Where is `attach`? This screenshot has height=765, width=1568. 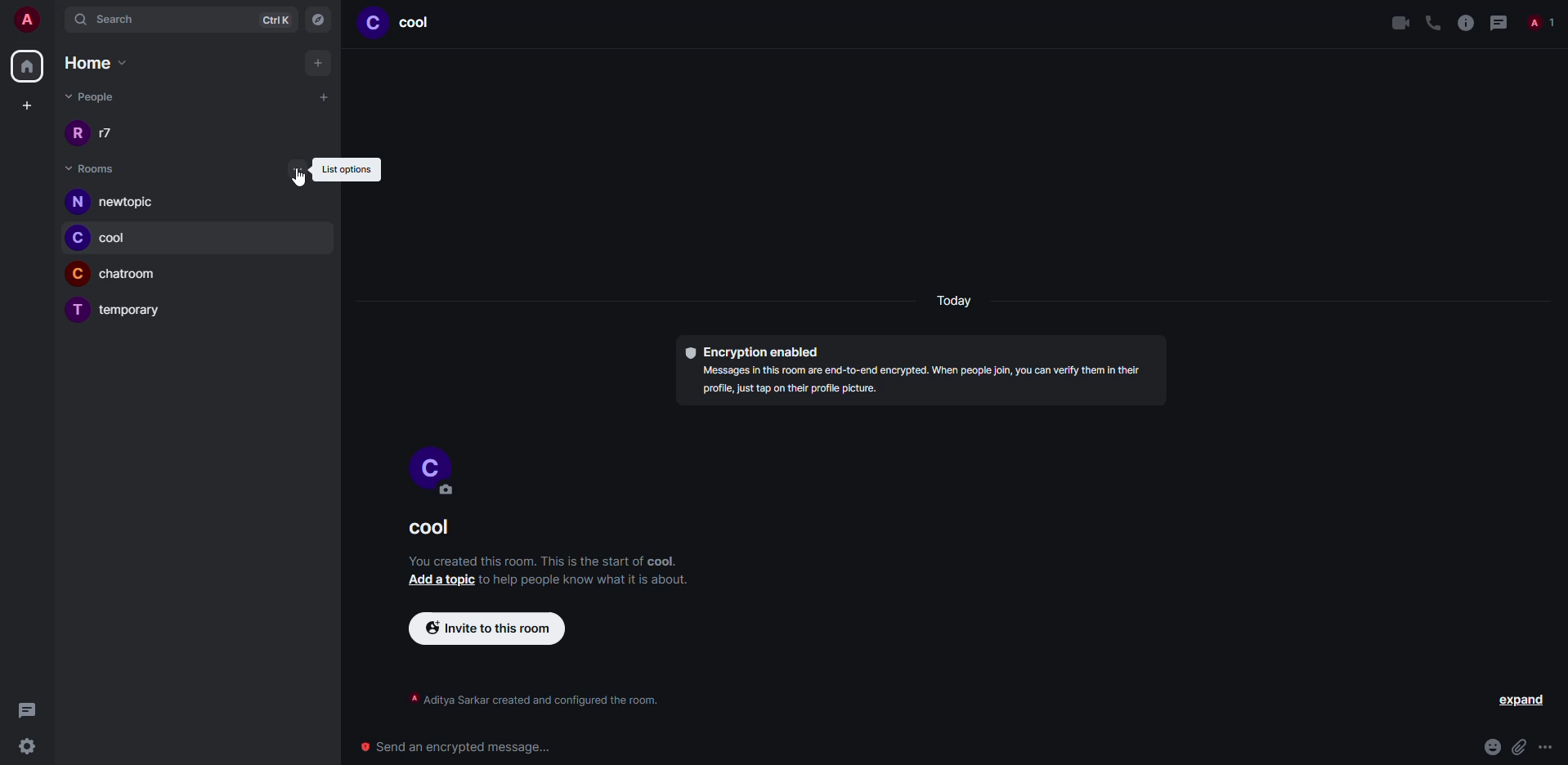
attach is located at coordinates (1520, 747).